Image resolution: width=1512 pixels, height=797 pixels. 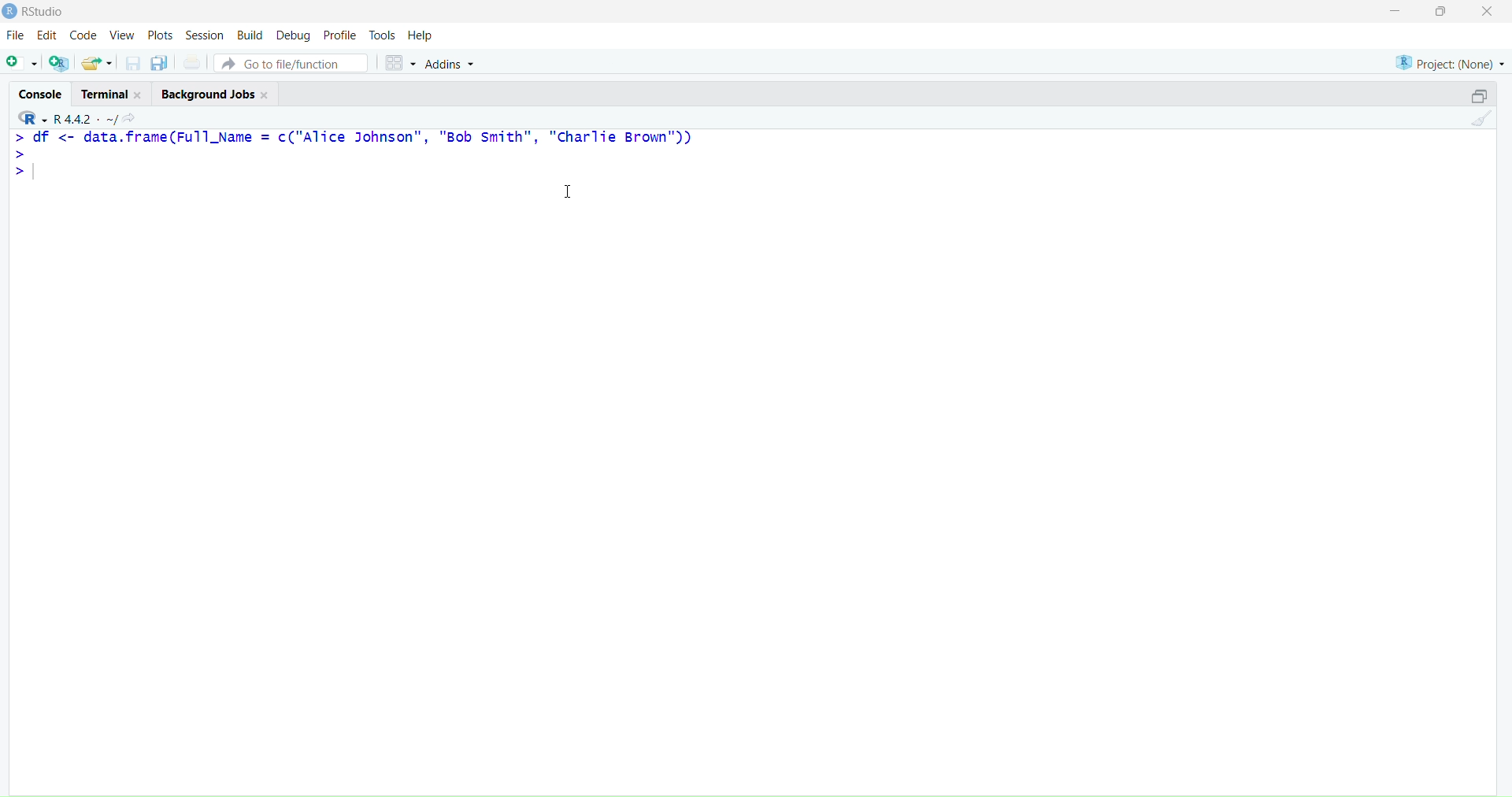 I want to click on Open an existing file (Ctrl + O), so click(x=98, y=63).